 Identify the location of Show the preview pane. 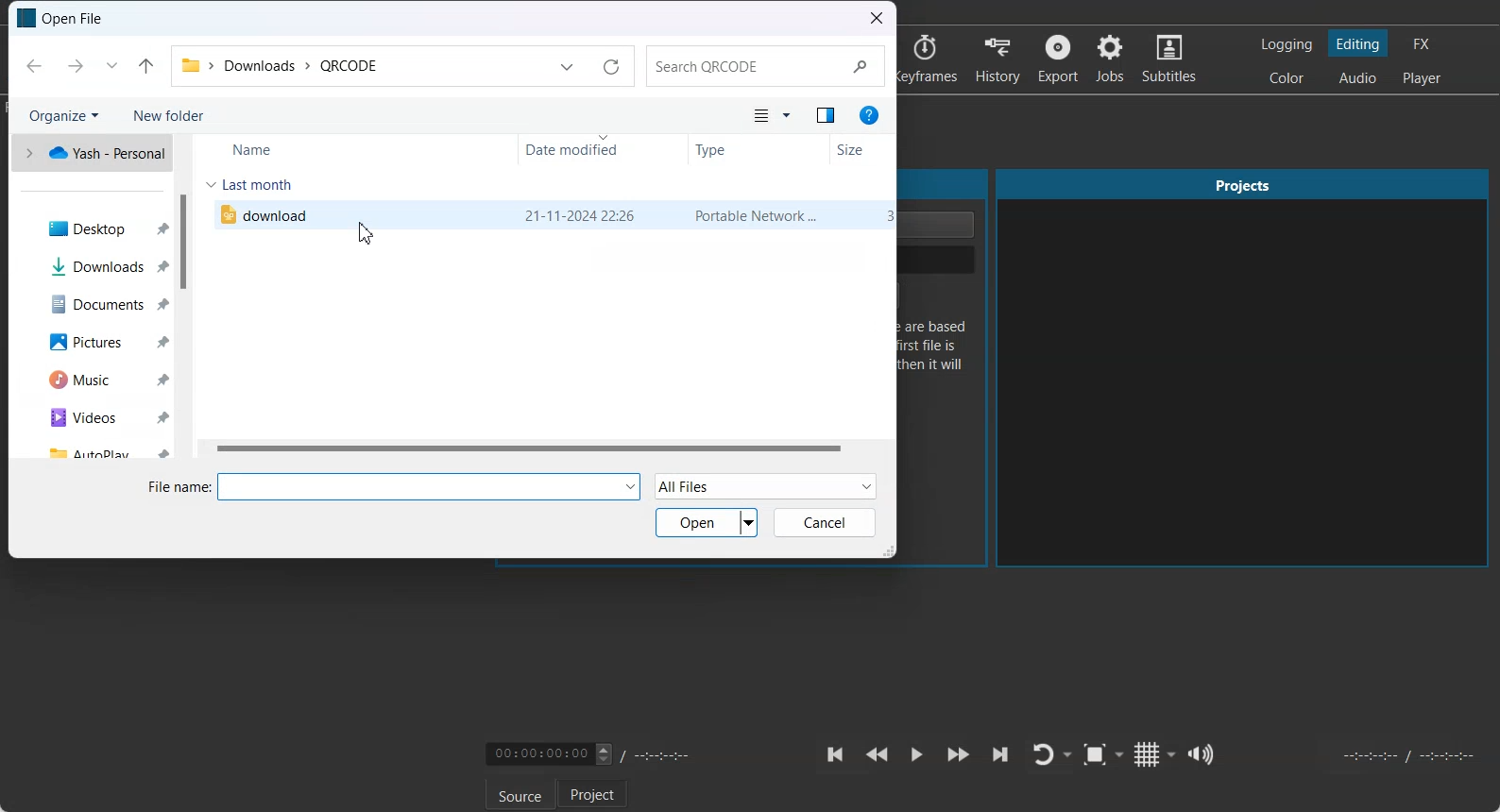
(826, 115).